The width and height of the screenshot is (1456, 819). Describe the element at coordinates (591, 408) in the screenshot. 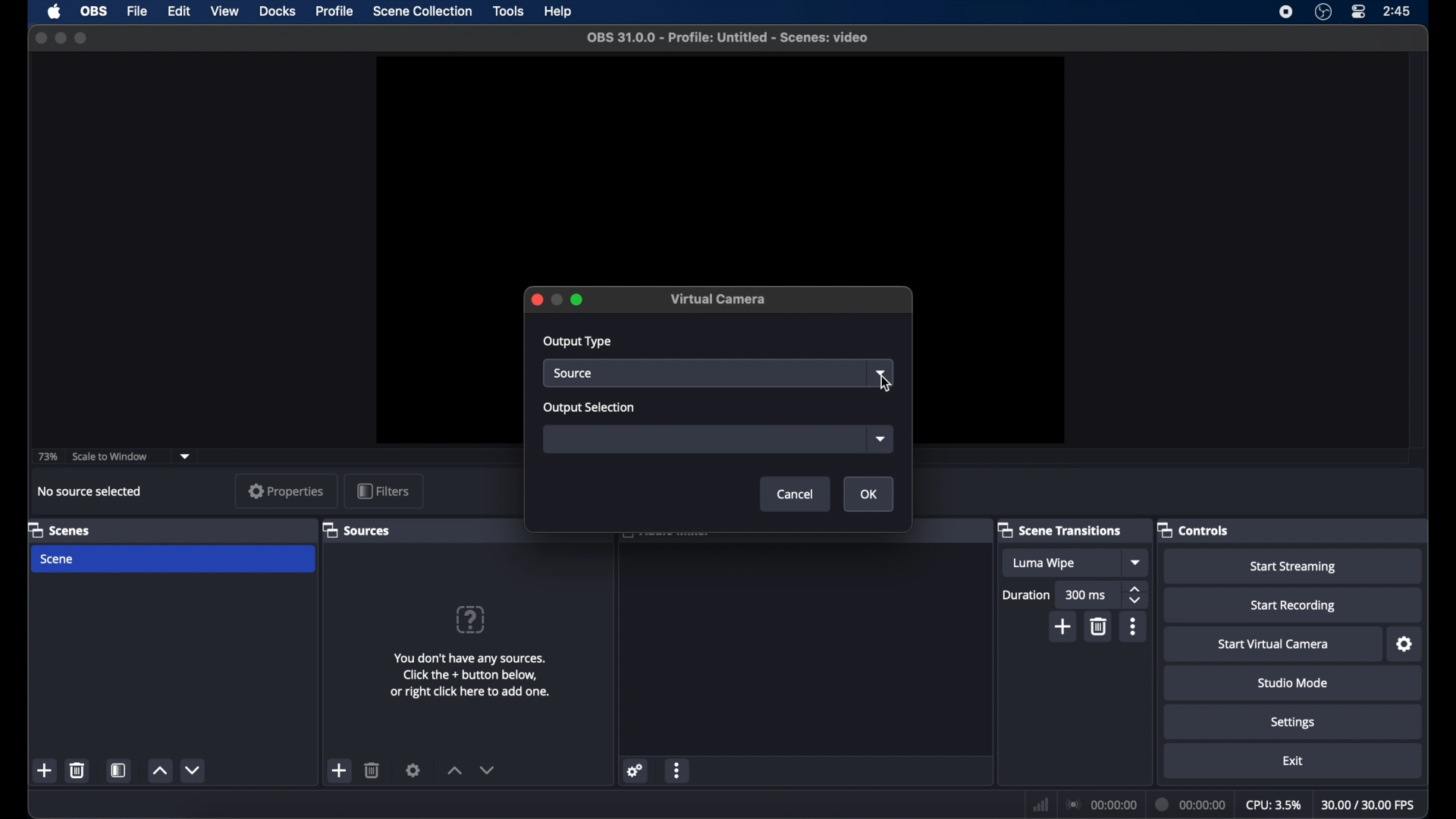

I see `output selection` at that location.